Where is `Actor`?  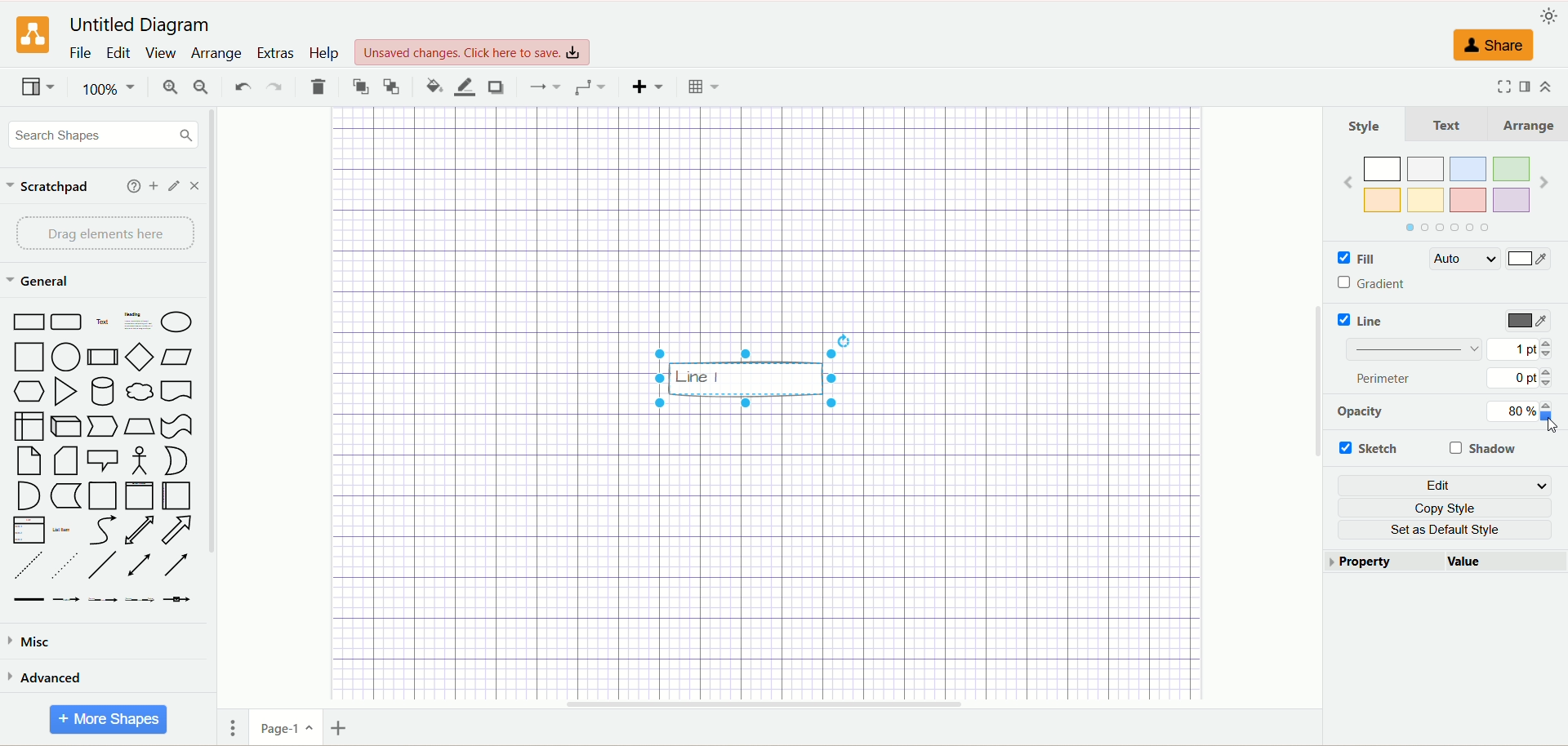
Actor is located at coordinates (140, 463).